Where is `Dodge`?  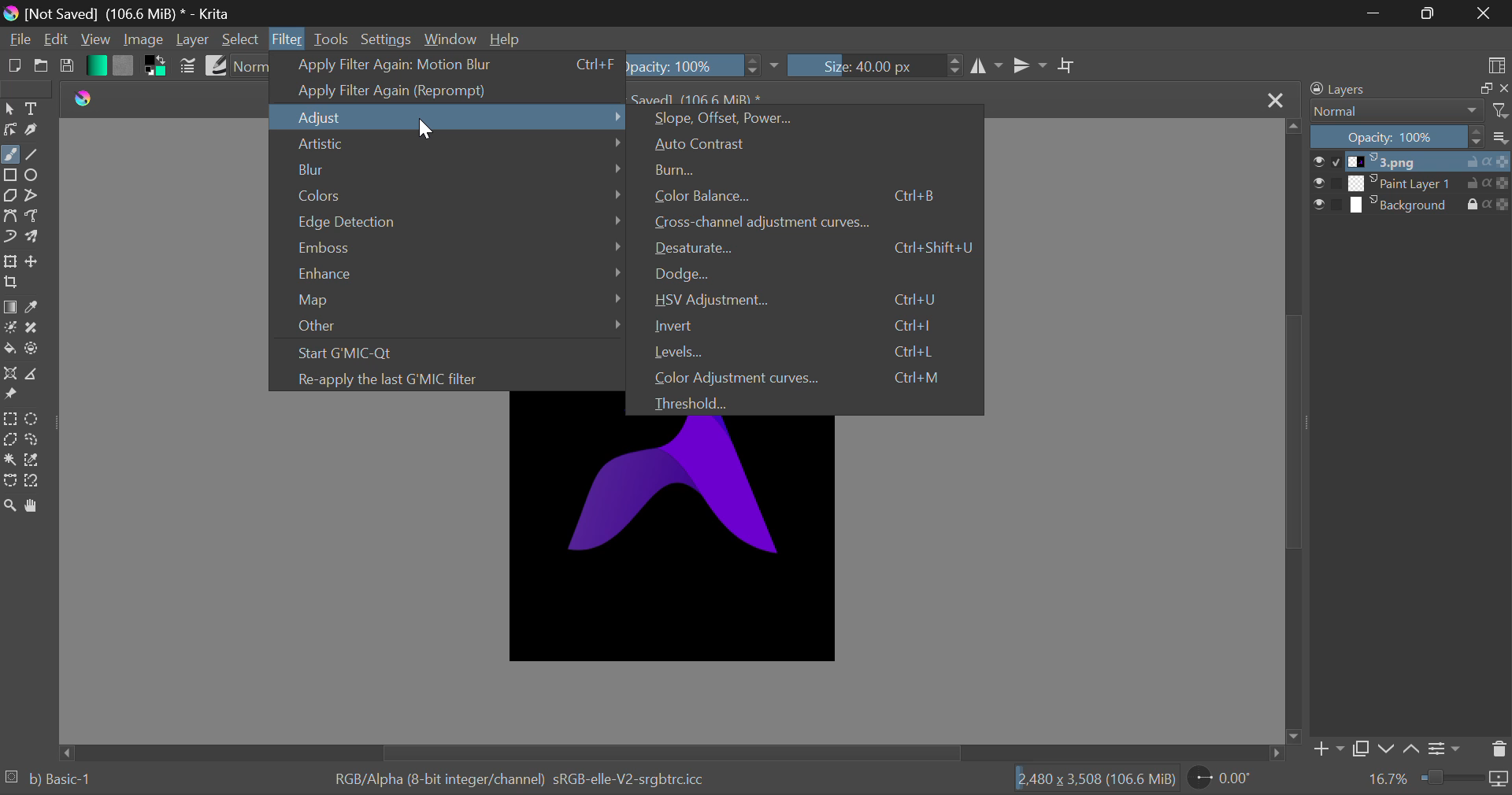
Dodge is located at coordinates (814, 275).